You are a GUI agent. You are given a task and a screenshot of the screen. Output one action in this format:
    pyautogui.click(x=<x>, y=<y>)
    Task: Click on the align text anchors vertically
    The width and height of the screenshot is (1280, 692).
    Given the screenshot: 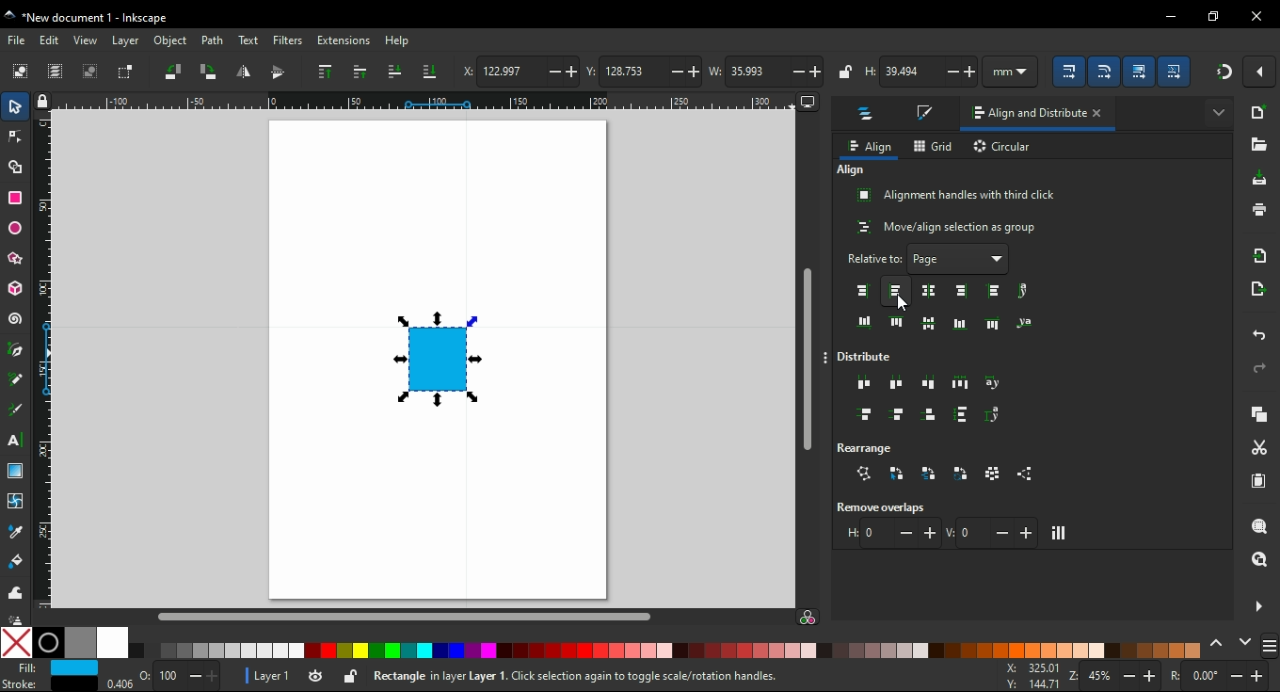 What is the action you would take?
    pyautogui.click(x=1026, y=290)
    